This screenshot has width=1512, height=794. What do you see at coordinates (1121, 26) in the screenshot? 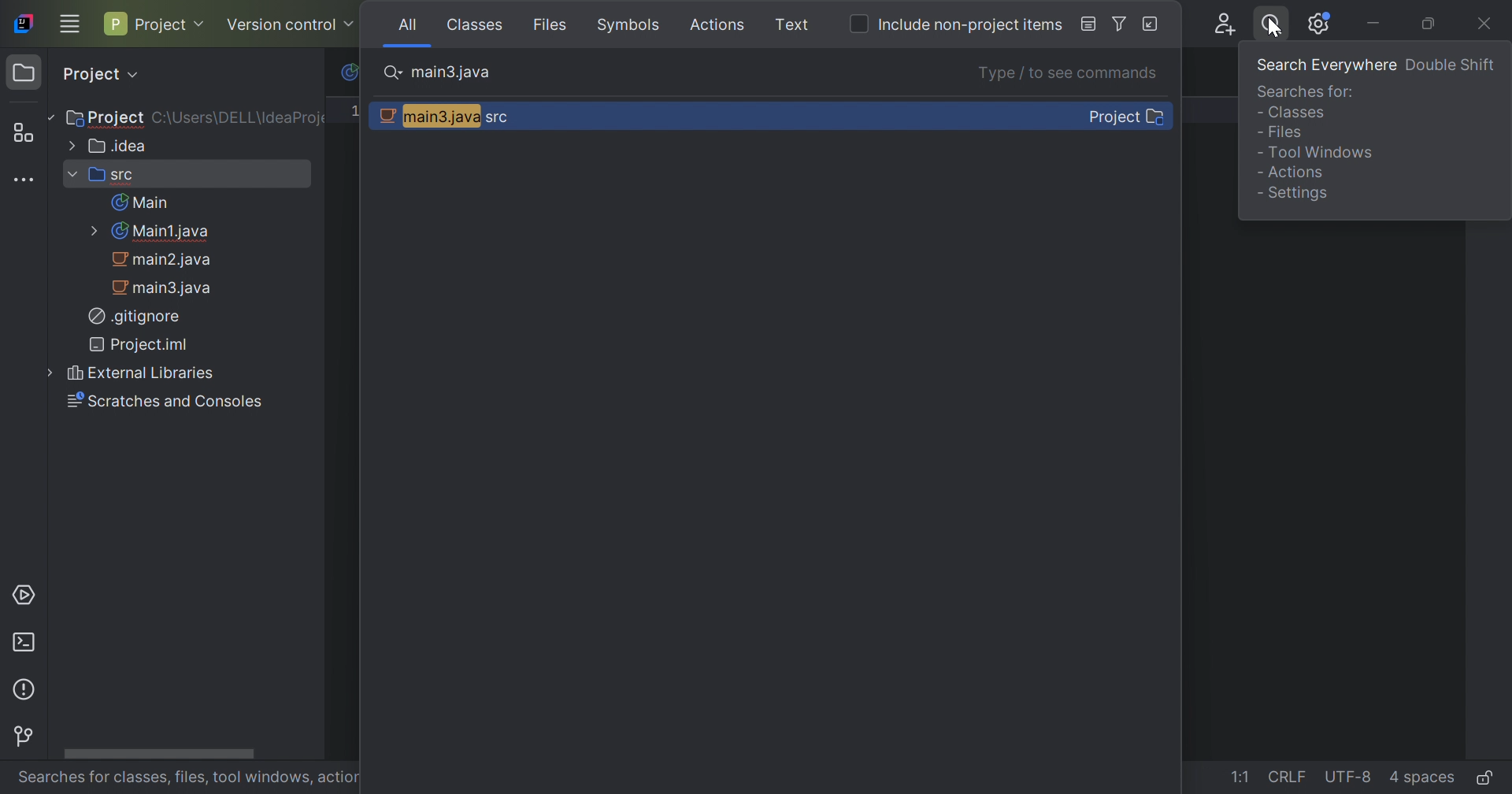
I see `Filter` at bounding box center [1121, 26].